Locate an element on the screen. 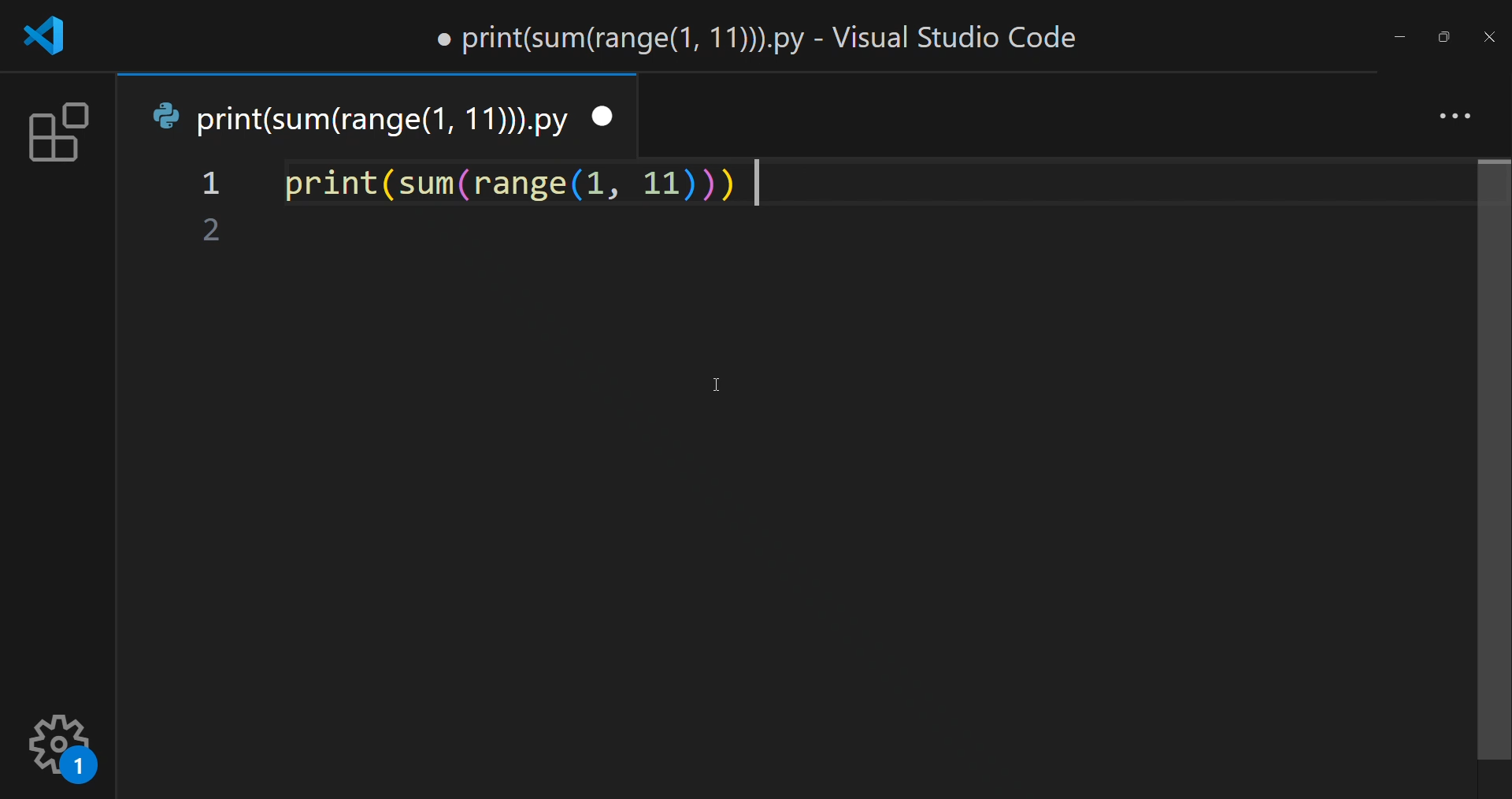 The height and width of the screenshot is (799, 1512). print (sum(range(1, 11))) is located at coordinates (506, 188).